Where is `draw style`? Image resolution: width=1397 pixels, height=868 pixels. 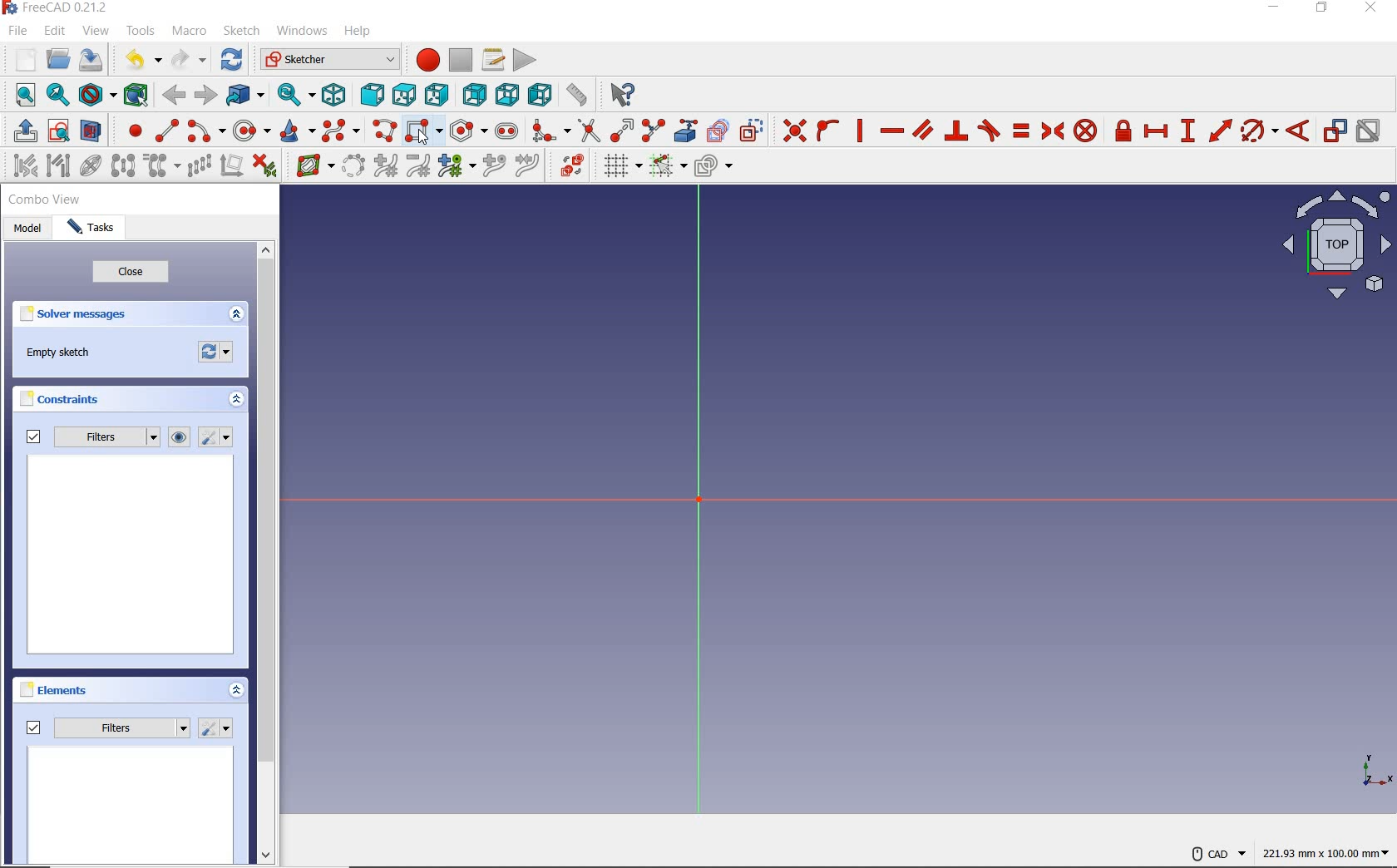
draw style is located at coordinates (96, 94).